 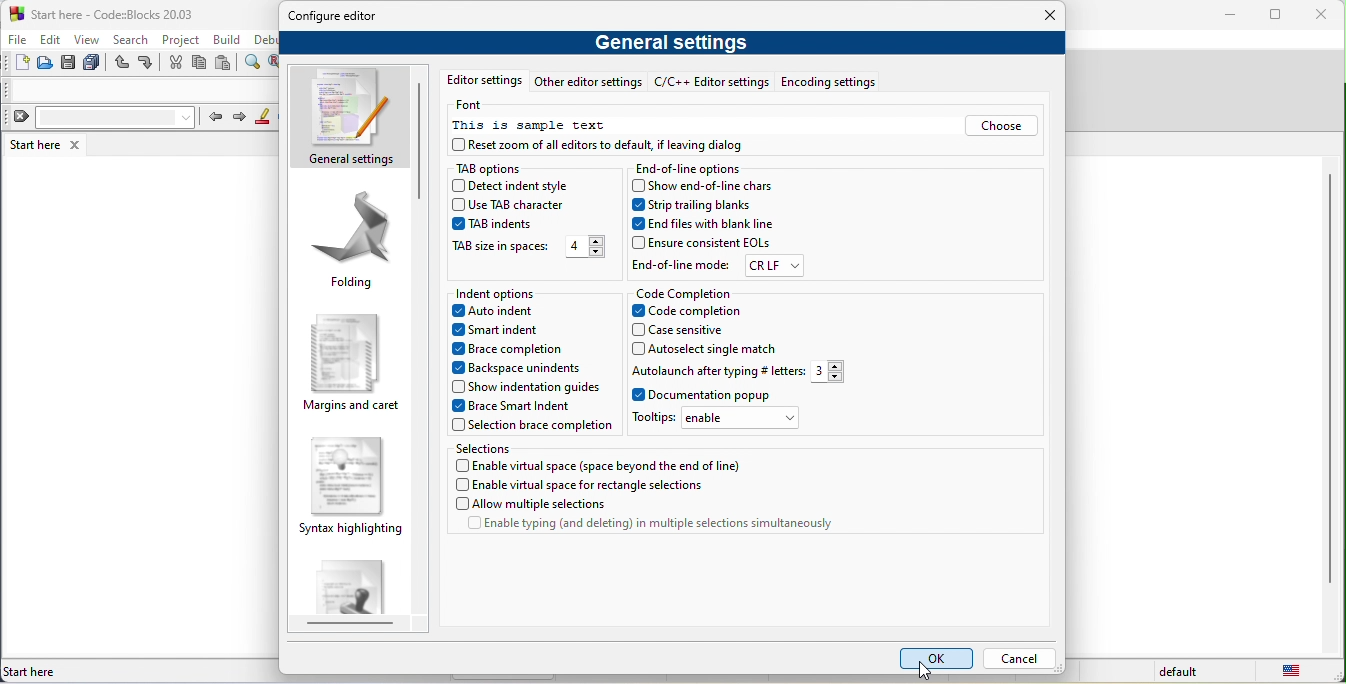 I want to click on margins and caret, so click(x=352, y=360).